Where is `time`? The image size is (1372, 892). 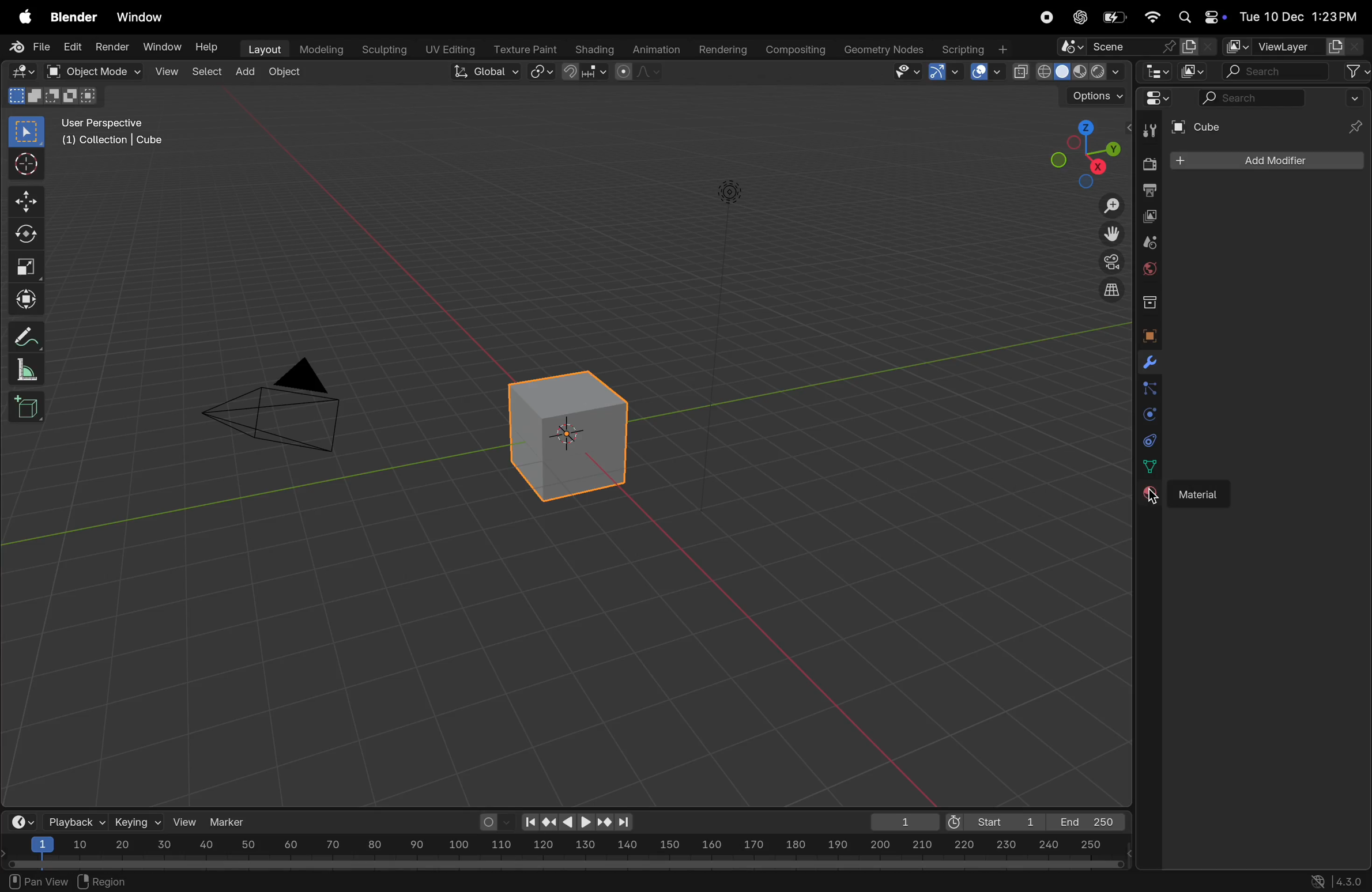
time is located at coordinates (20, 821).